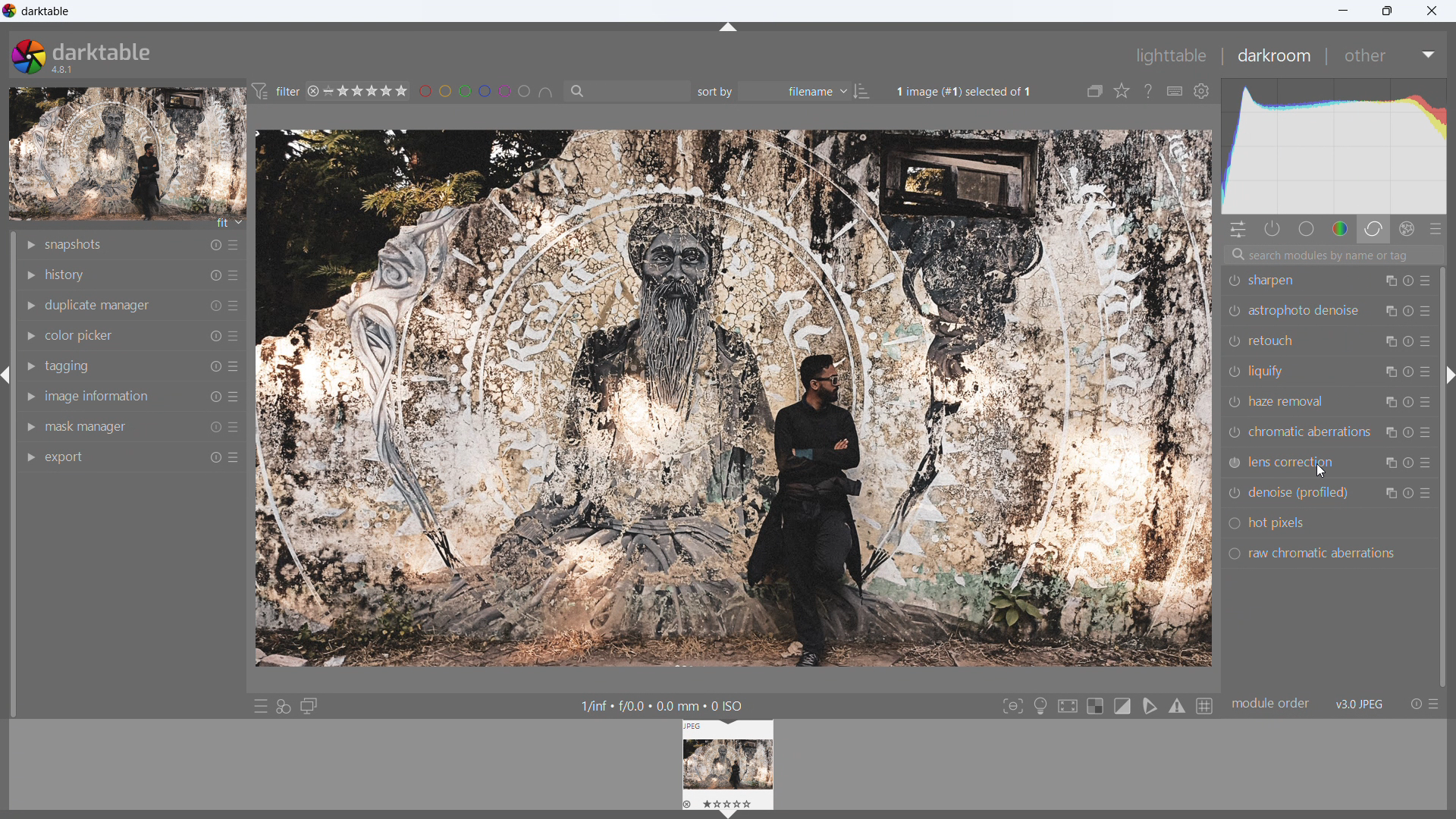 The height and width of the screenshot is (819, 1456). Describe the element at coordinates (238, 367) in the screenshot. I see `more options` at that location.